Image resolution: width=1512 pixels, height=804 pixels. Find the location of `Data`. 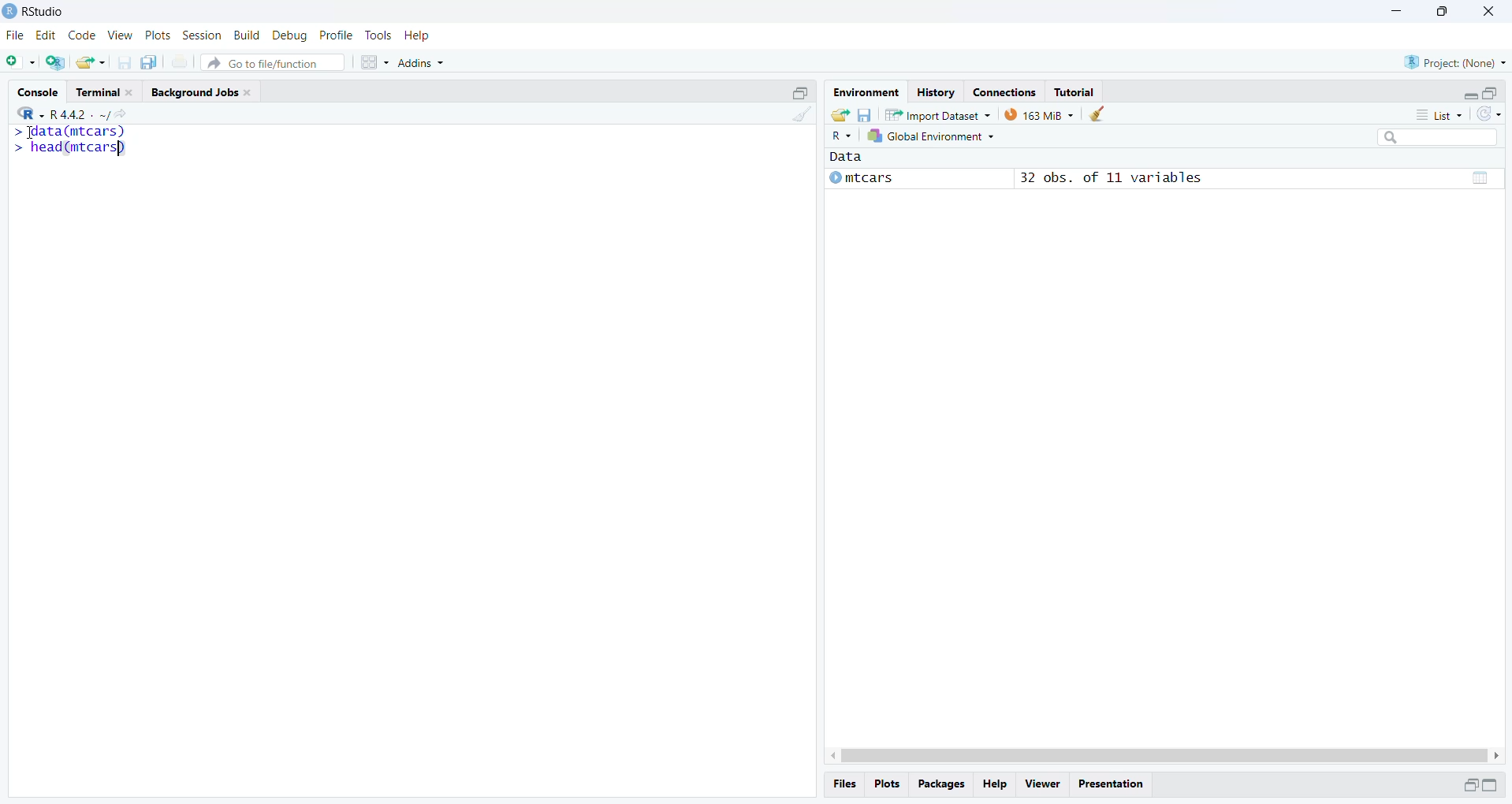

Data is located at coordinates (847, 157).